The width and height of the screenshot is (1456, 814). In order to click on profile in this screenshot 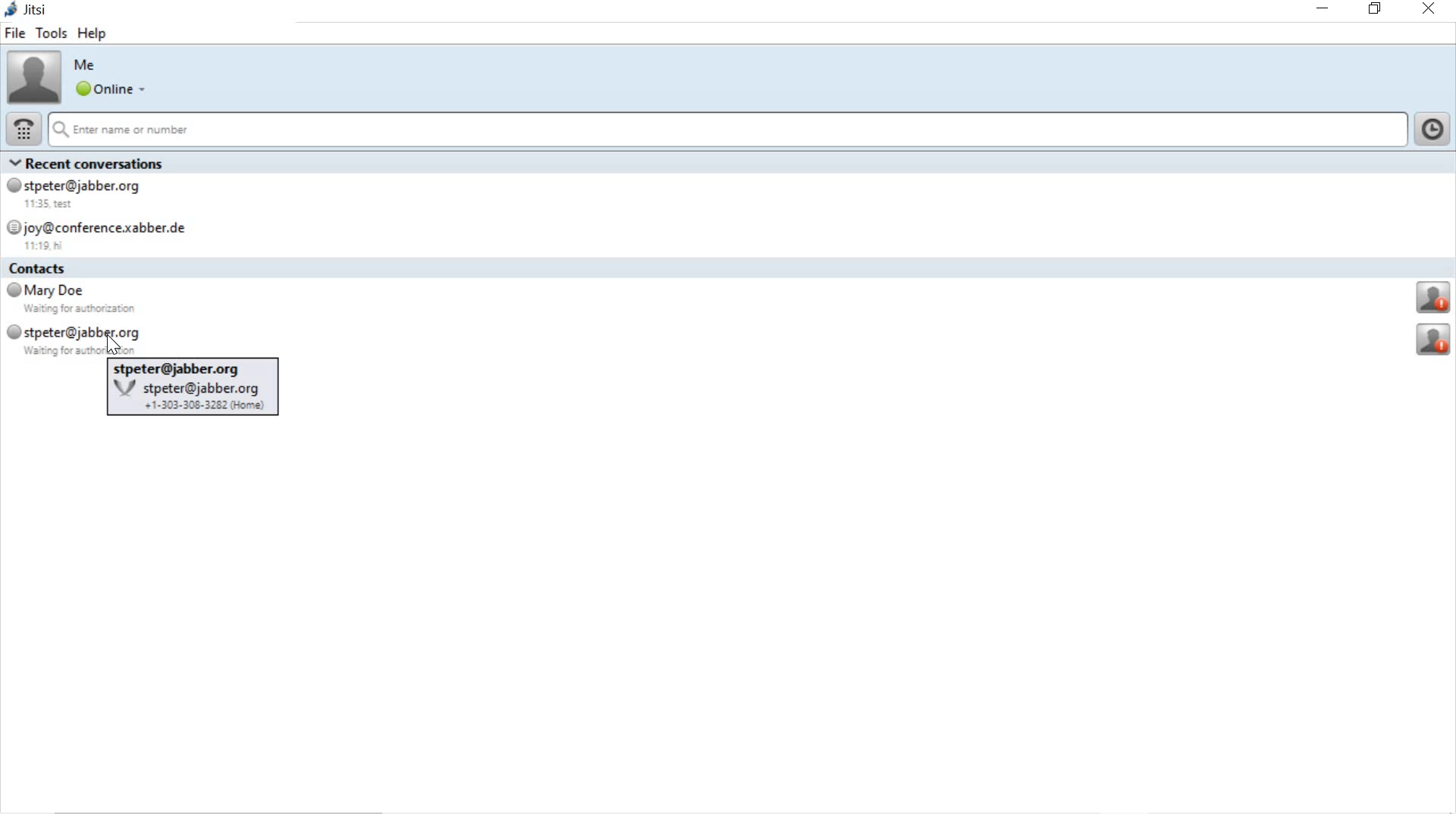, I will do `click(1435, 340)`.